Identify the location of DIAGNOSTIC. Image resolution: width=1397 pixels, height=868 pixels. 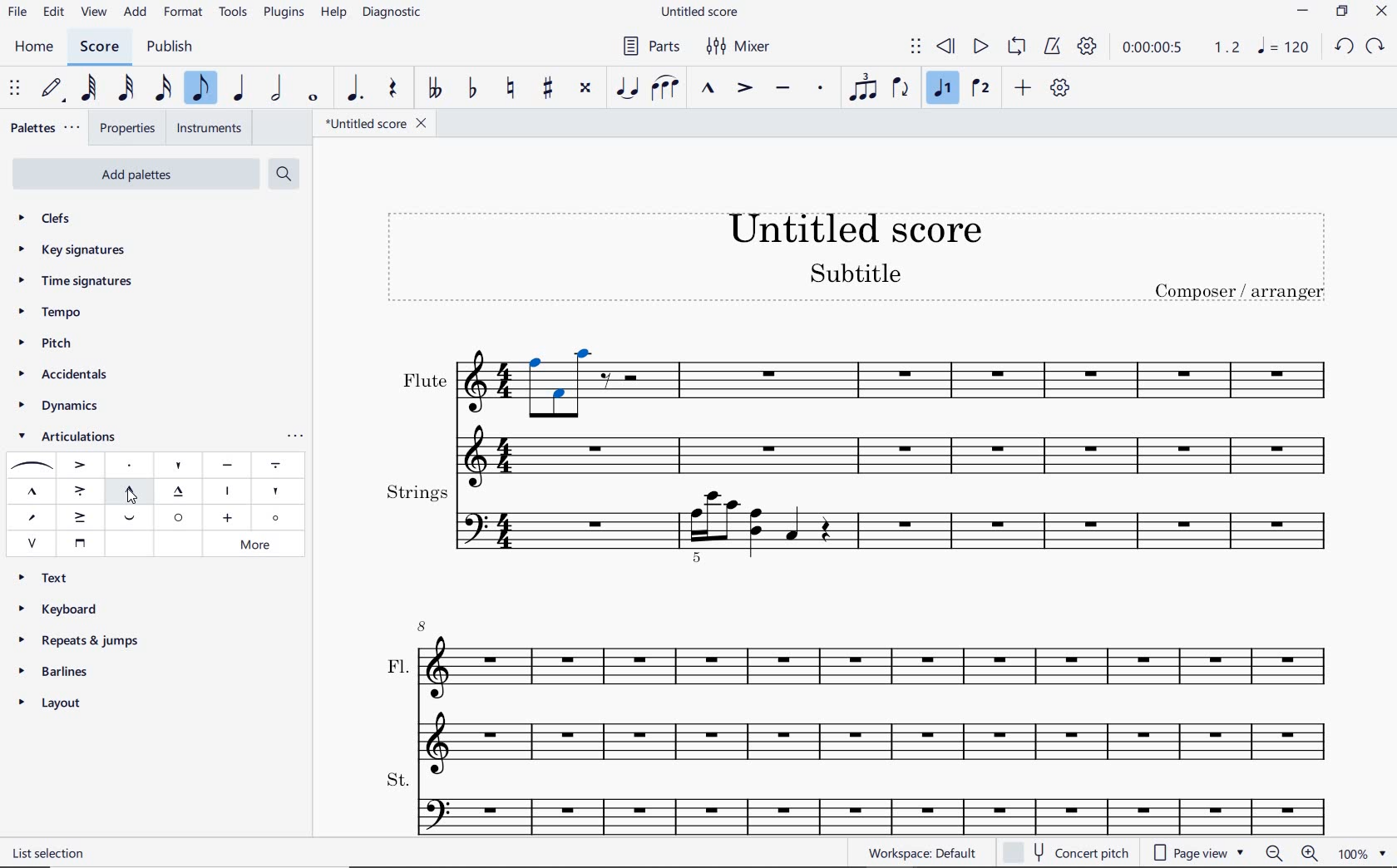
(395, 13).